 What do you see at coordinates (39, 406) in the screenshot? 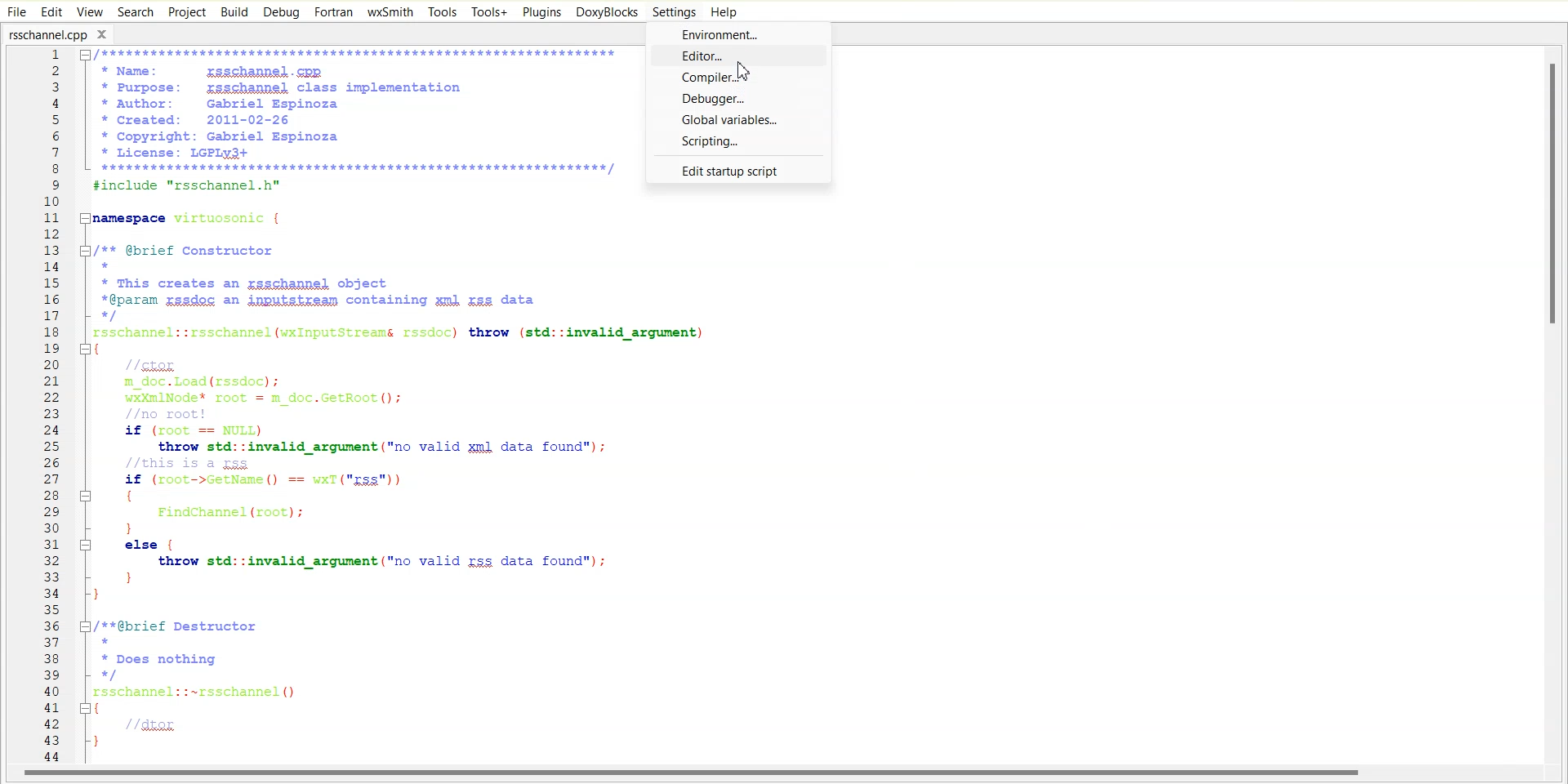
I see `Line Number` at bounding box center [39, 406].